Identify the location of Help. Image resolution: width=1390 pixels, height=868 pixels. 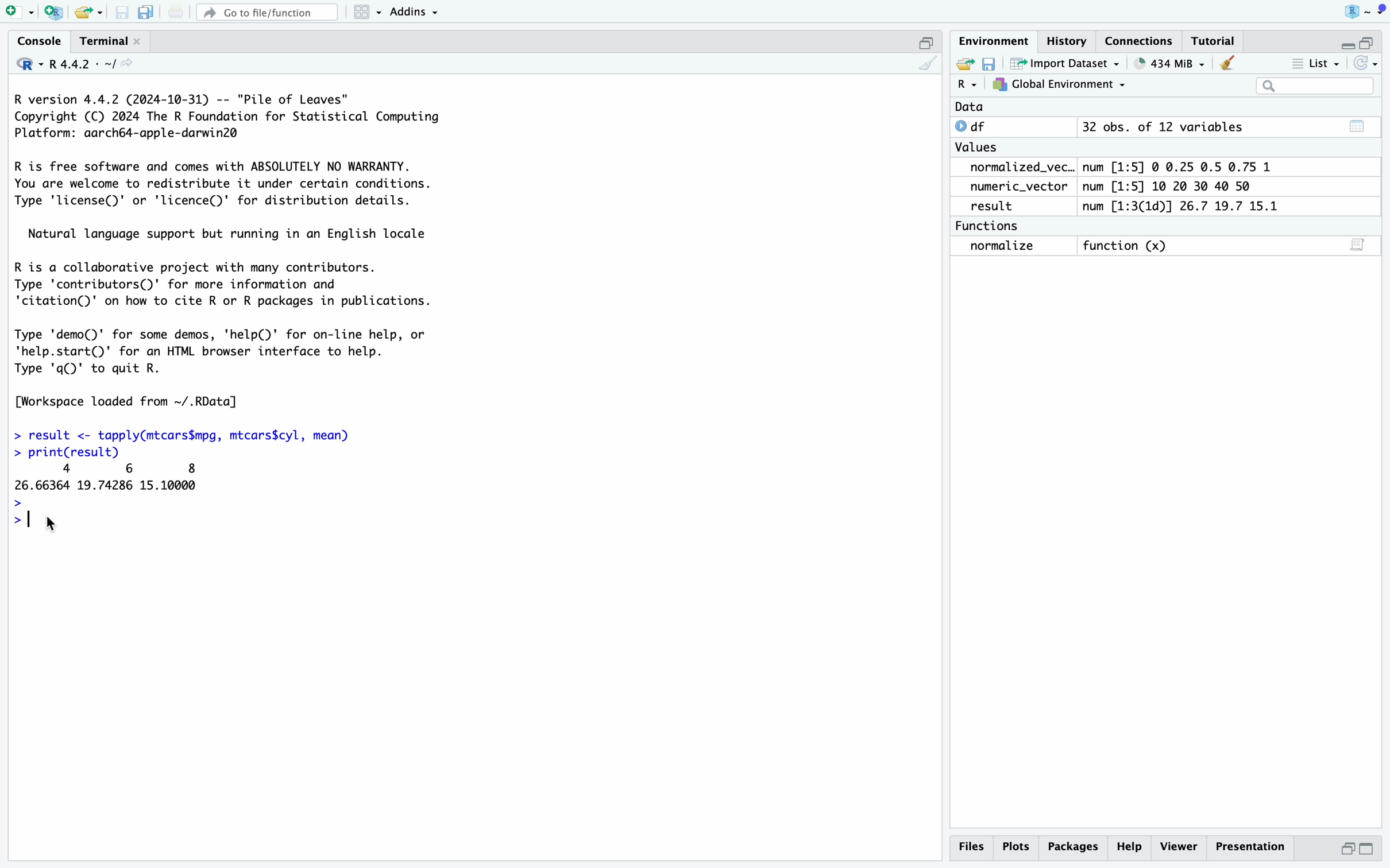
(1130, 847).